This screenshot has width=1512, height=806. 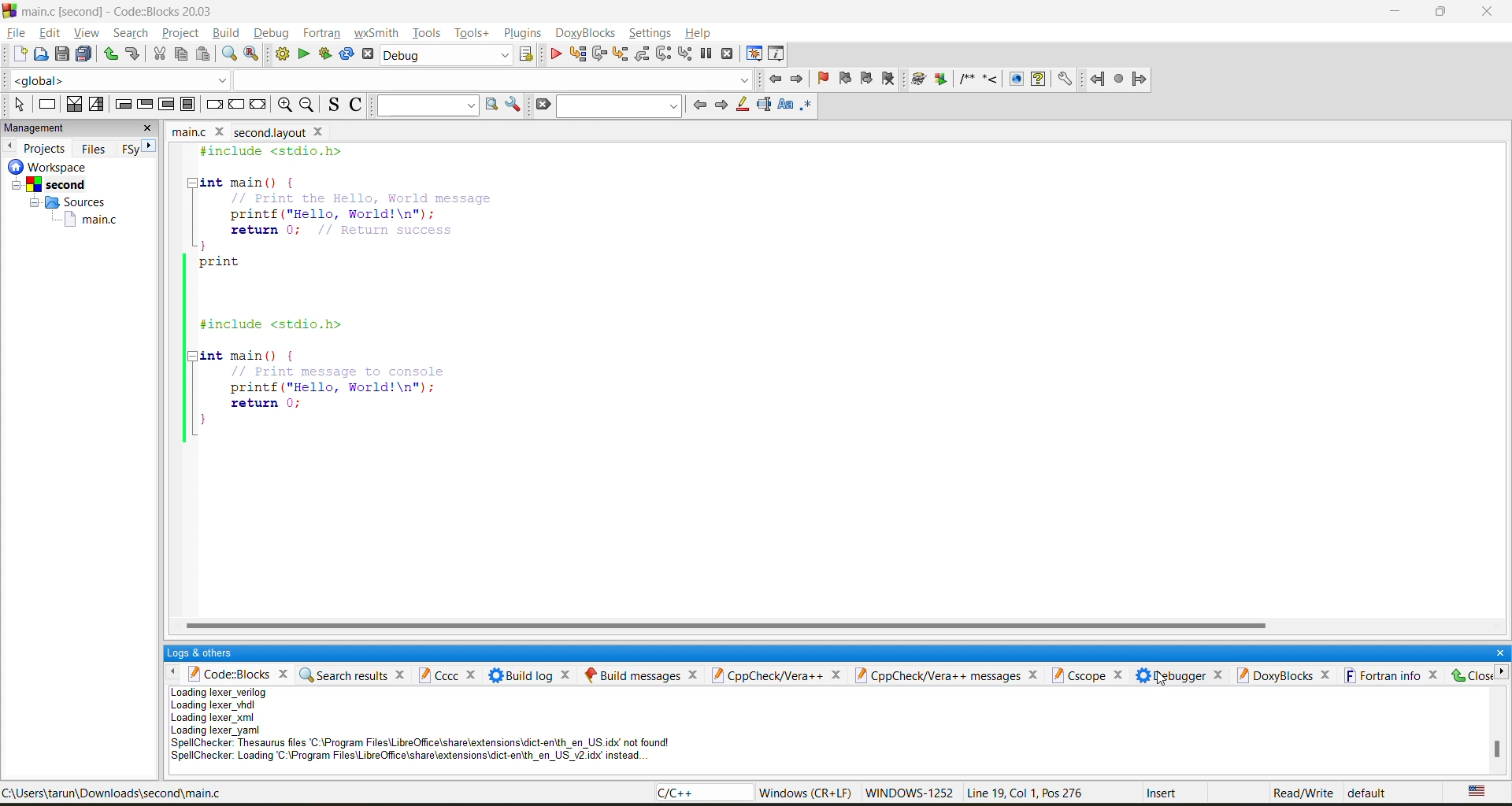 What do you see at coordinates (1080, 794) in the screenshot?
I see `metadata` at bounding box center [1080, 794].